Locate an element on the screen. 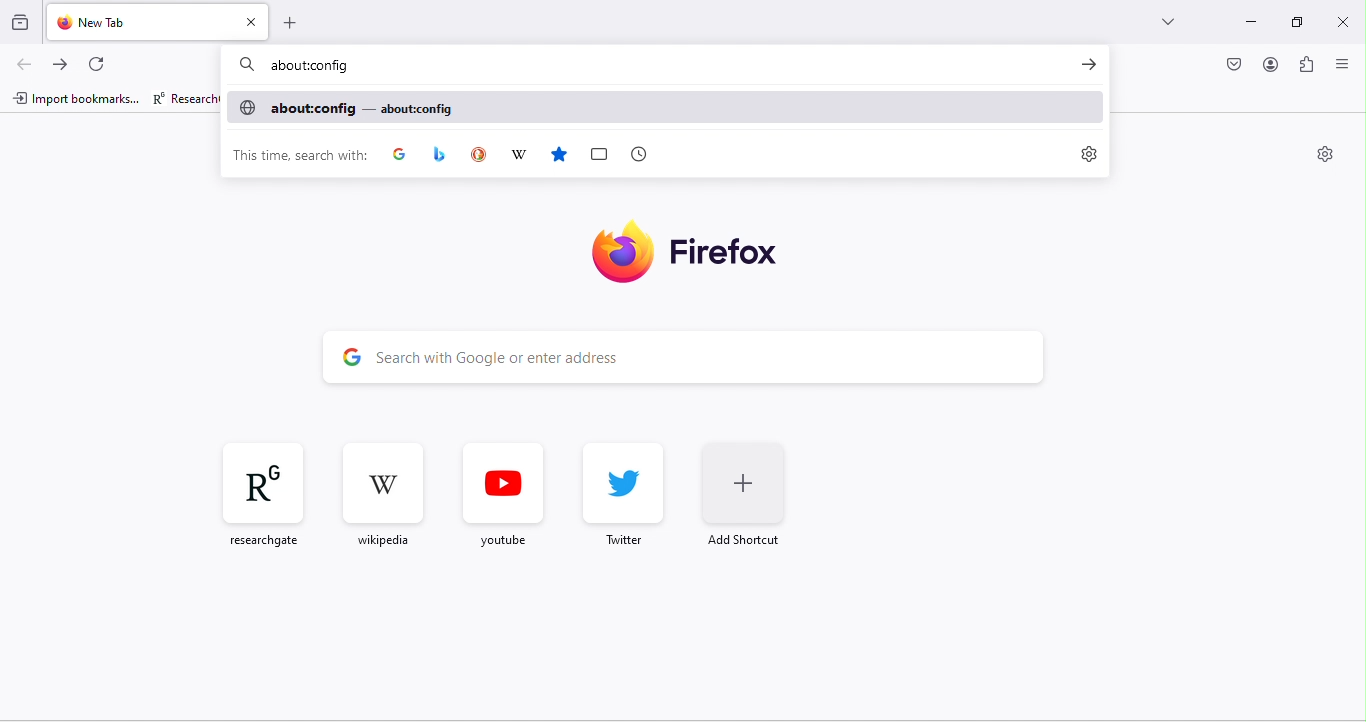 The image size is (1366, 722). box is located at coordinates (597, 151).